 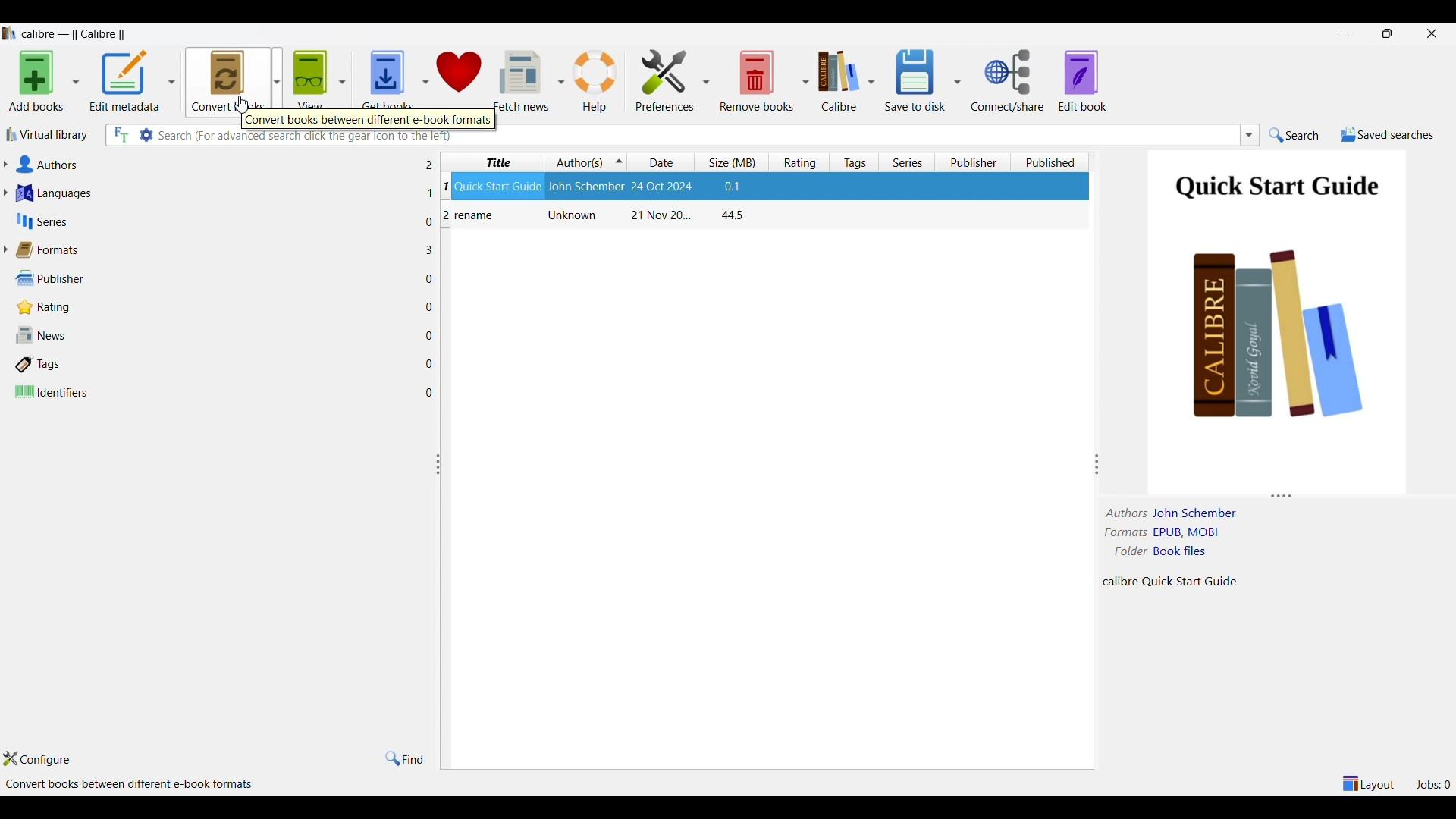 What do you see at coordinates (1266, 496) in the screenshot?
I see `Change height of panels attached` at bounding box center [1266, 496].